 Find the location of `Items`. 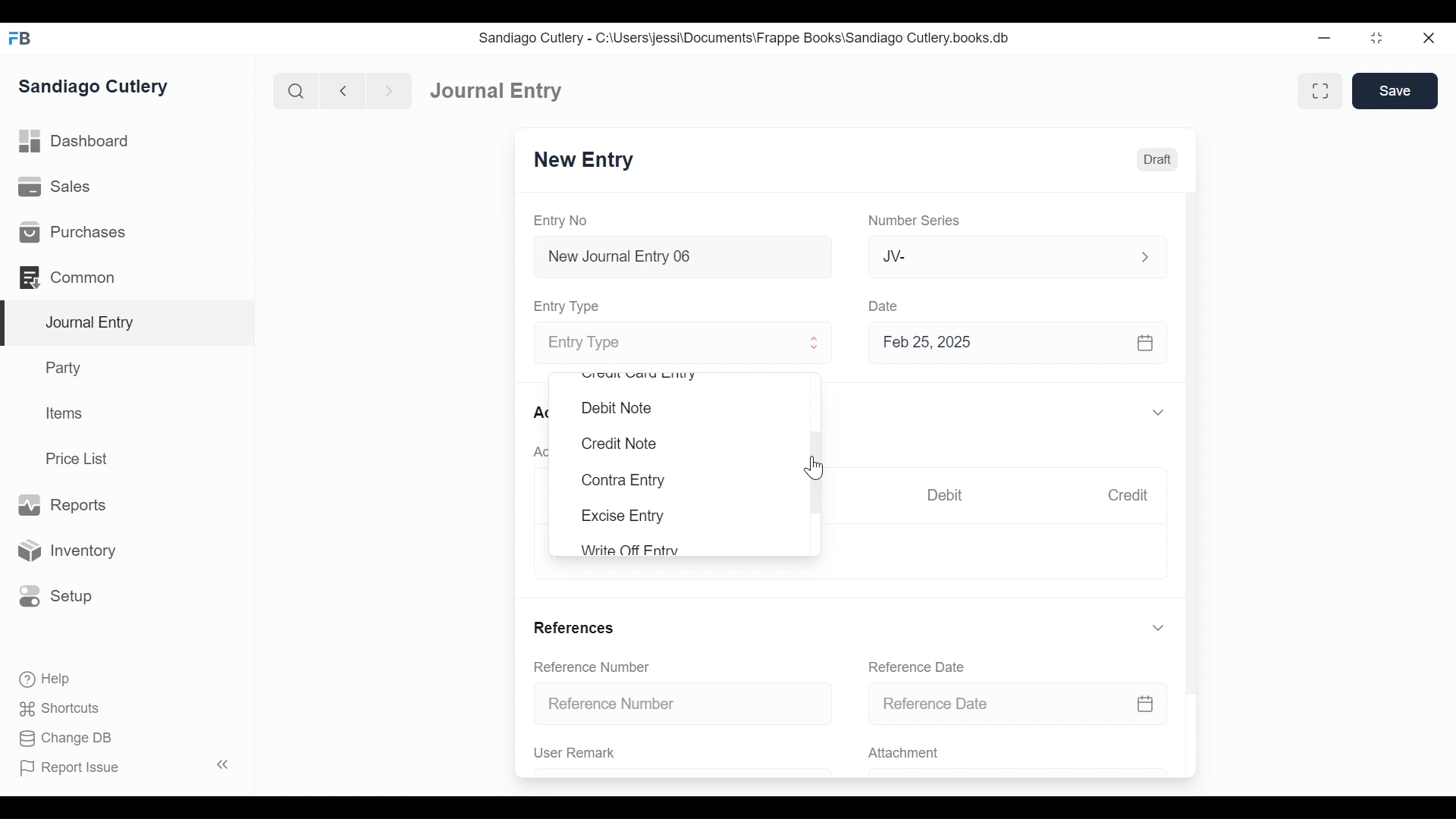

Items is located at coordinates (65, 413).